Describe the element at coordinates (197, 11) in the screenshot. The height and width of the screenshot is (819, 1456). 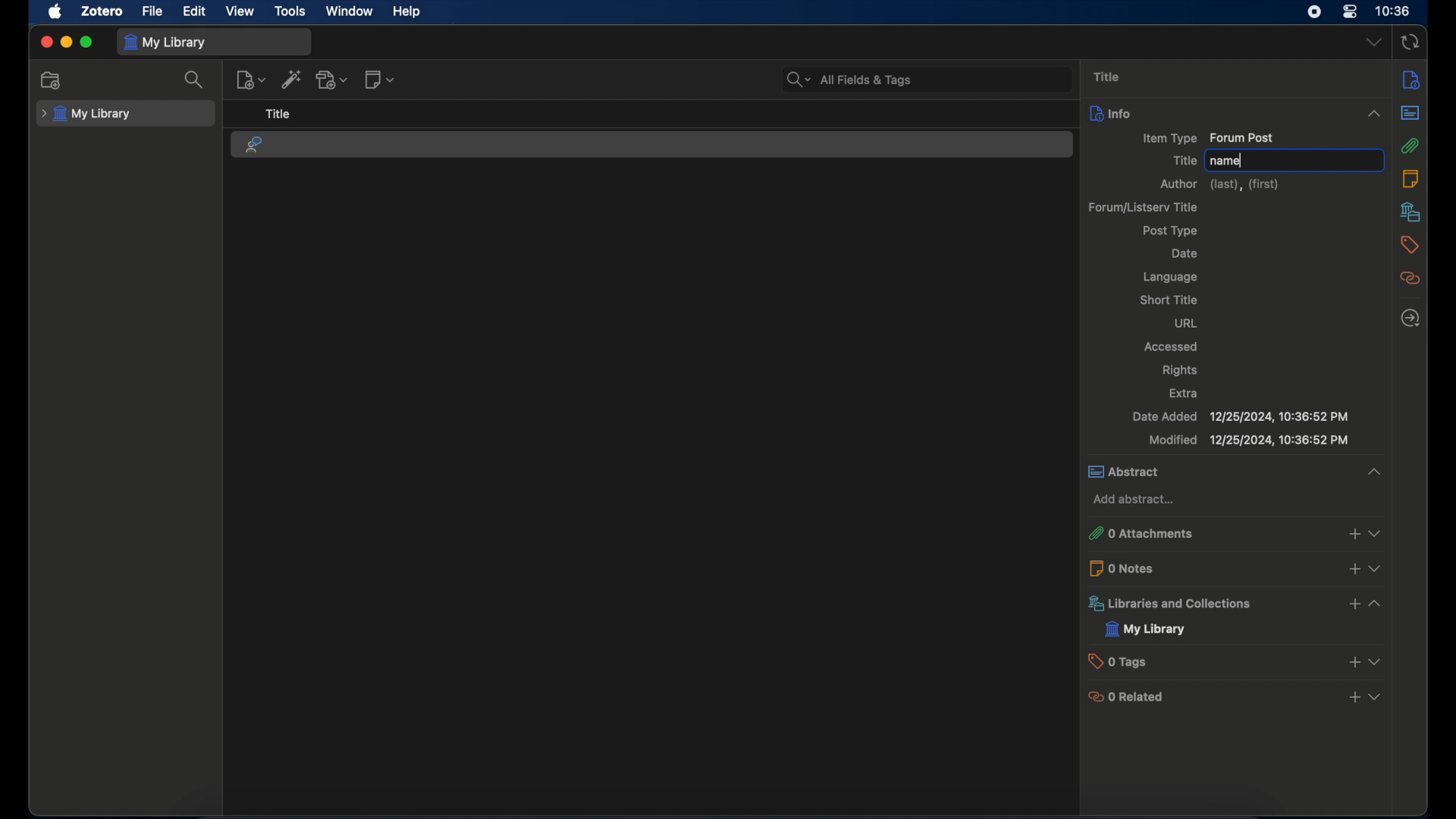
I see `edit` at that location.